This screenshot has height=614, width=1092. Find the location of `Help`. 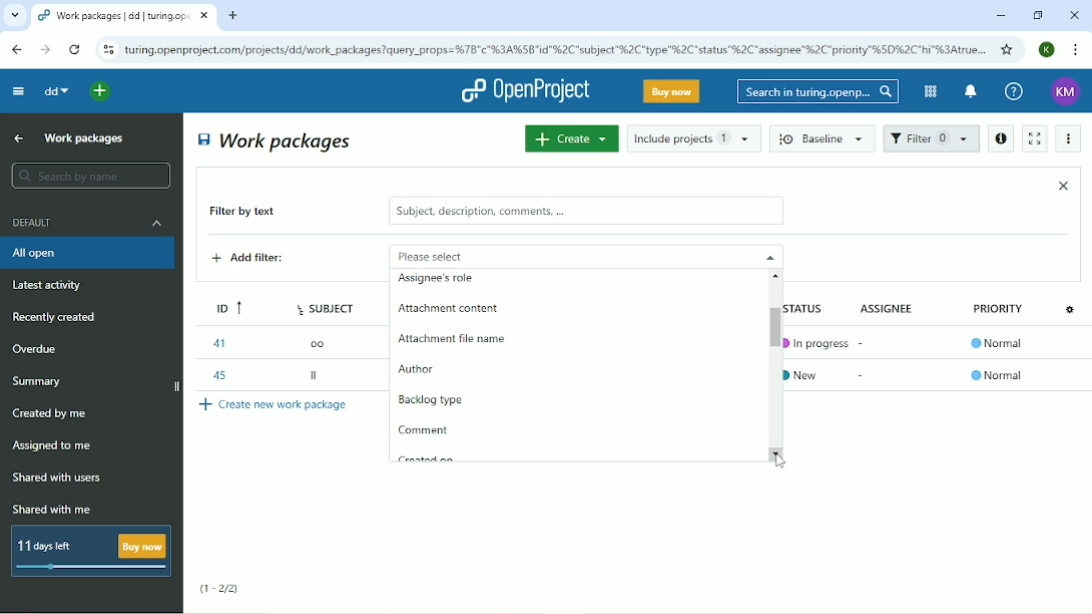

Help is located at coordinates (1014, 92).